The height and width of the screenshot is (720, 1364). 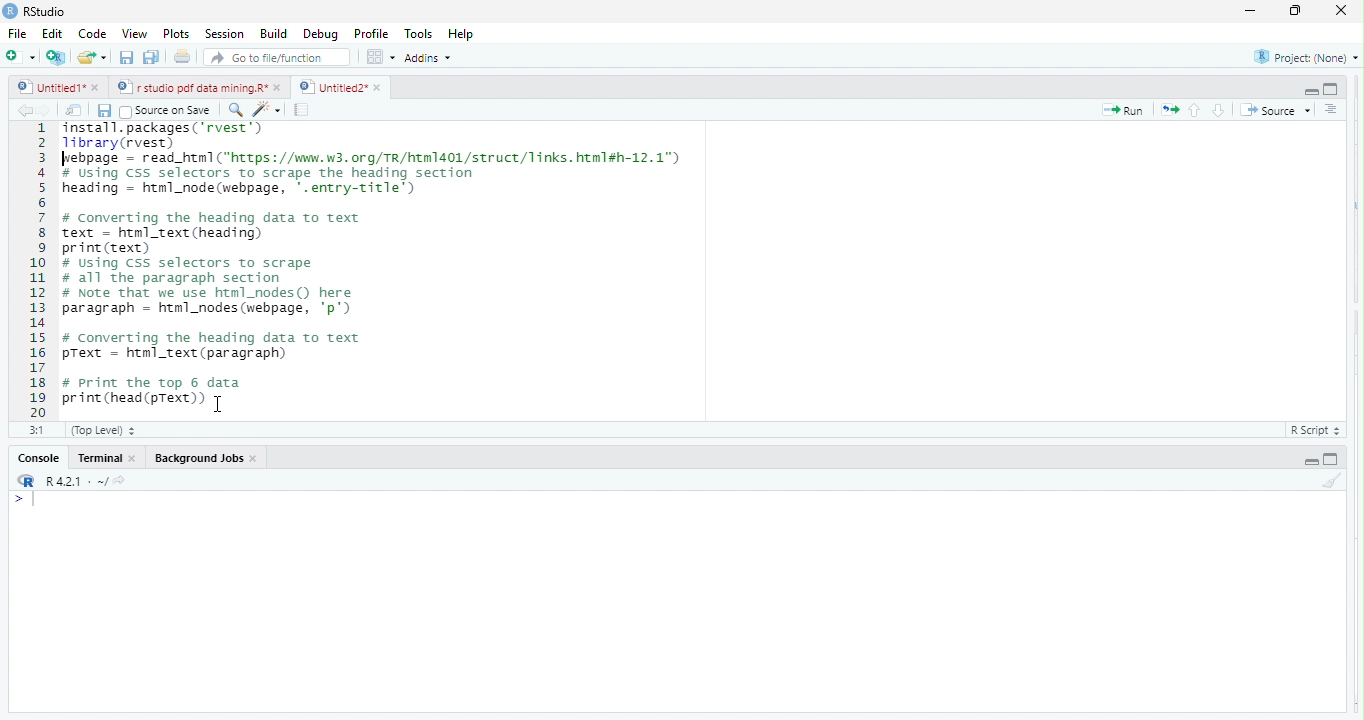 What do you see at coordinates (1276, 112) in the screenshot?
I see ` Source ` at bounding box center [1276, 112].